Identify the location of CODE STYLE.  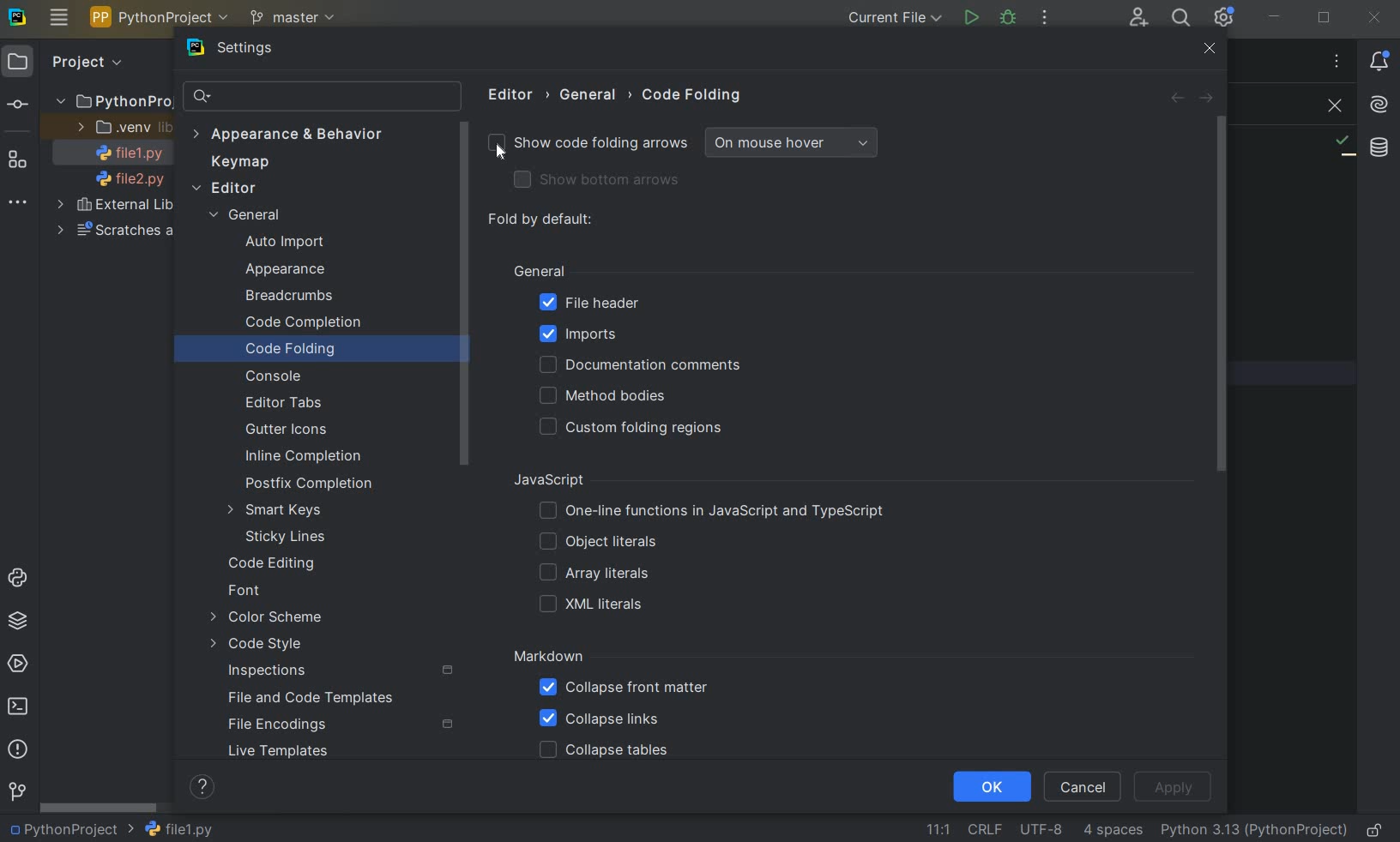
(284, 644).